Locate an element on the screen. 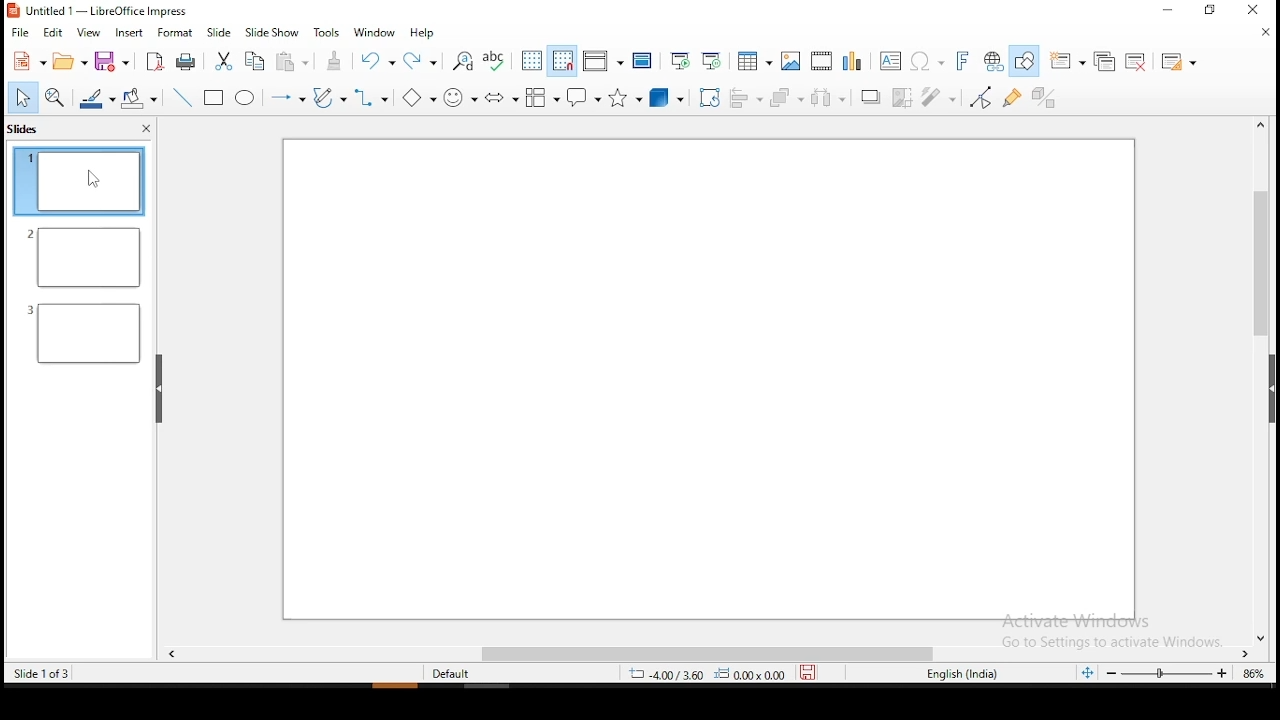 Image resolution: width=1280 pixels, height=720 pixels. edit is located at coordinates (56, 33).